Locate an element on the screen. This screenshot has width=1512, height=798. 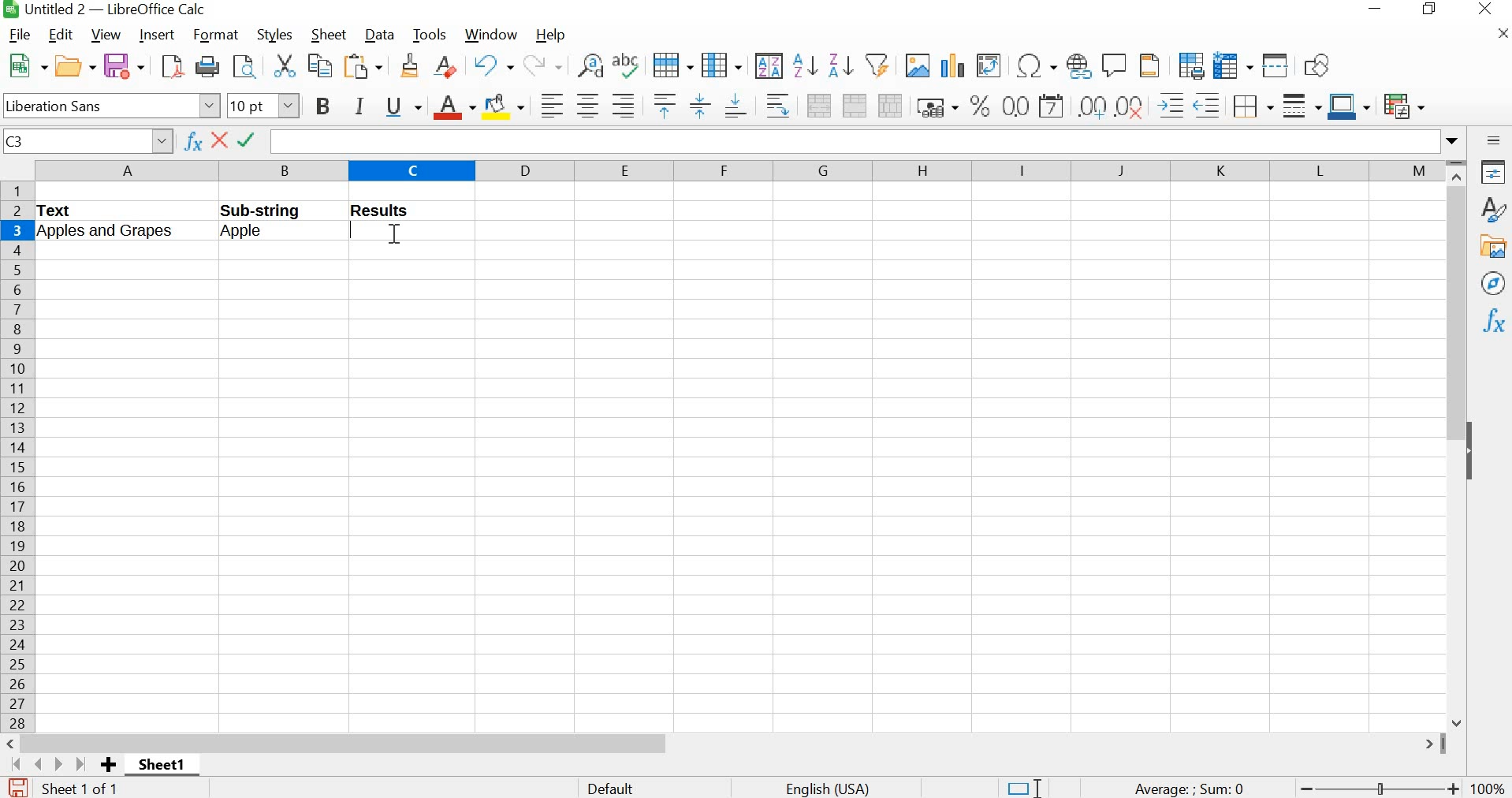
align left is located at coordinates (549, 104).